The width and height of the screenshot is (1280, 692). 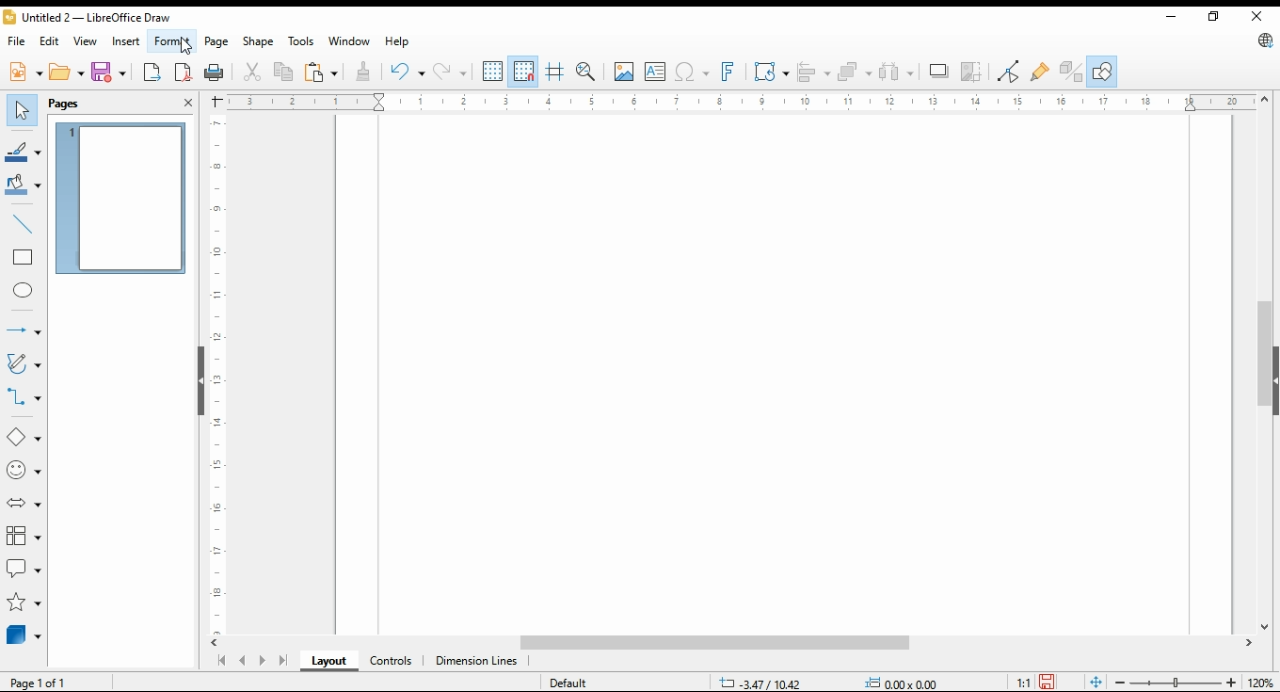 What do you see at coordinates (120, 198) in the screenshot?
I see `page 1` at bounding box center [120, 198].